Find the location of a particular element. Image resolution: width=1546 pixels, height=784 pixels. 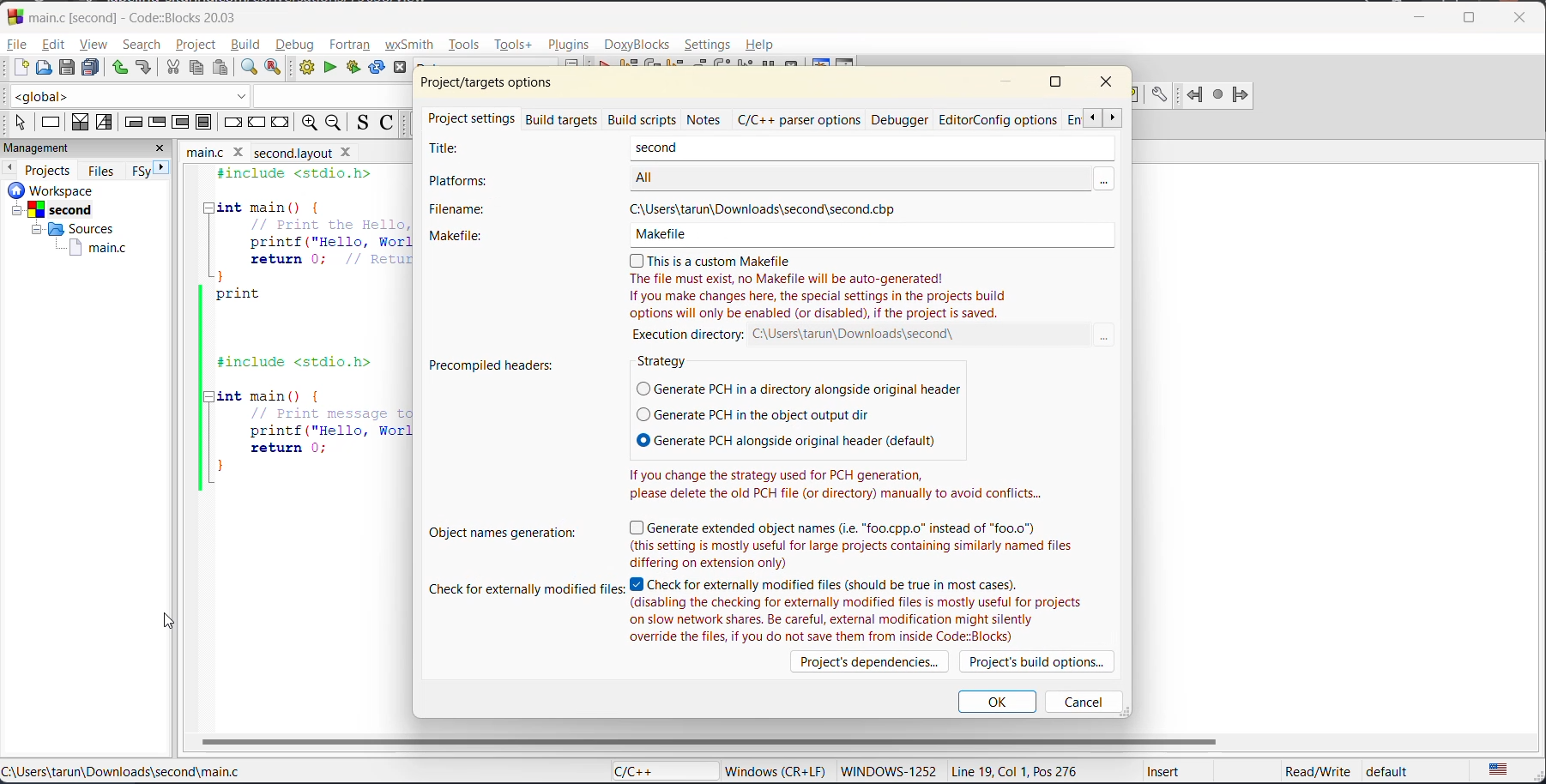

build is located at coordinates (244, 43).